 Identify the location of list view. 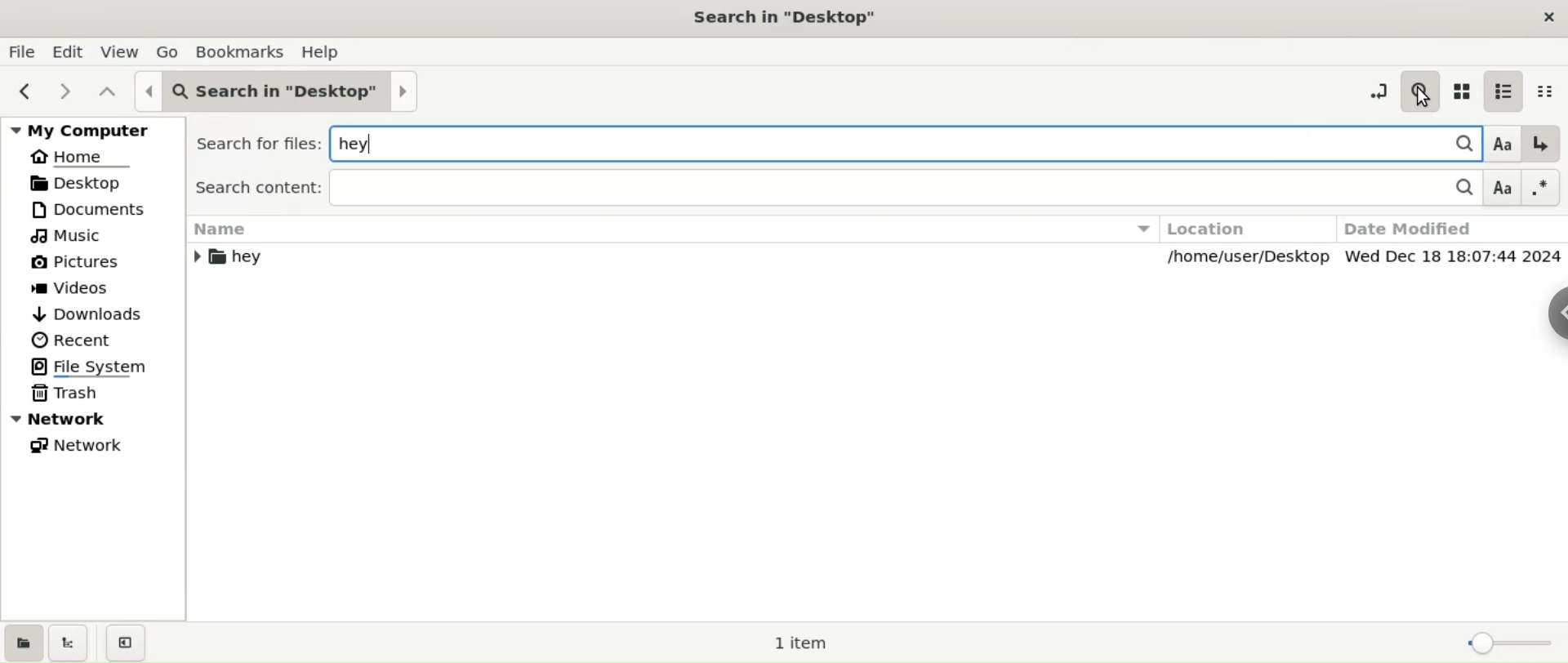
(1510, 91).